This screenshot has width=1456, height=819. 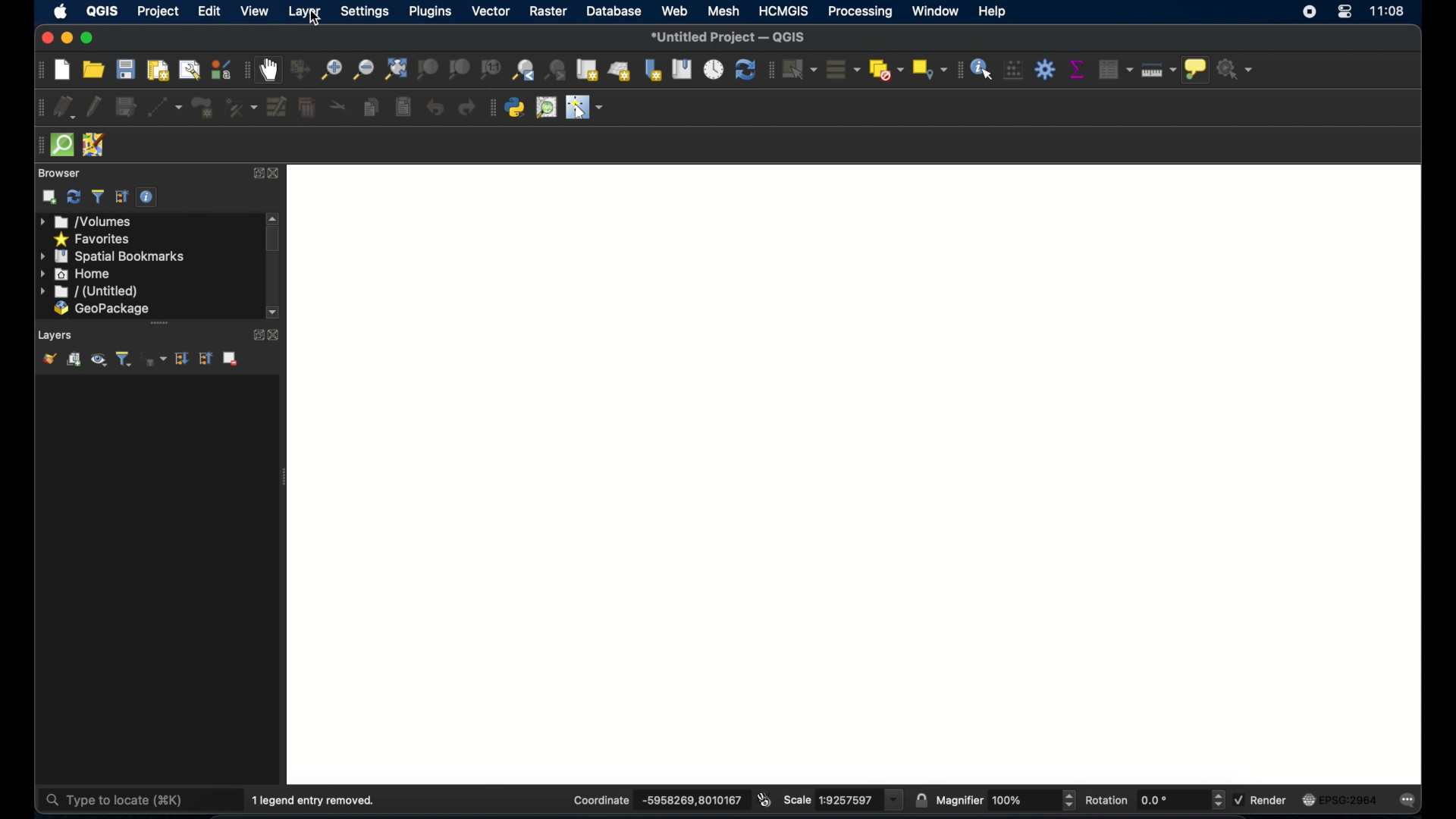 I want to click on pan map to selection, so click(x=302, y=70).